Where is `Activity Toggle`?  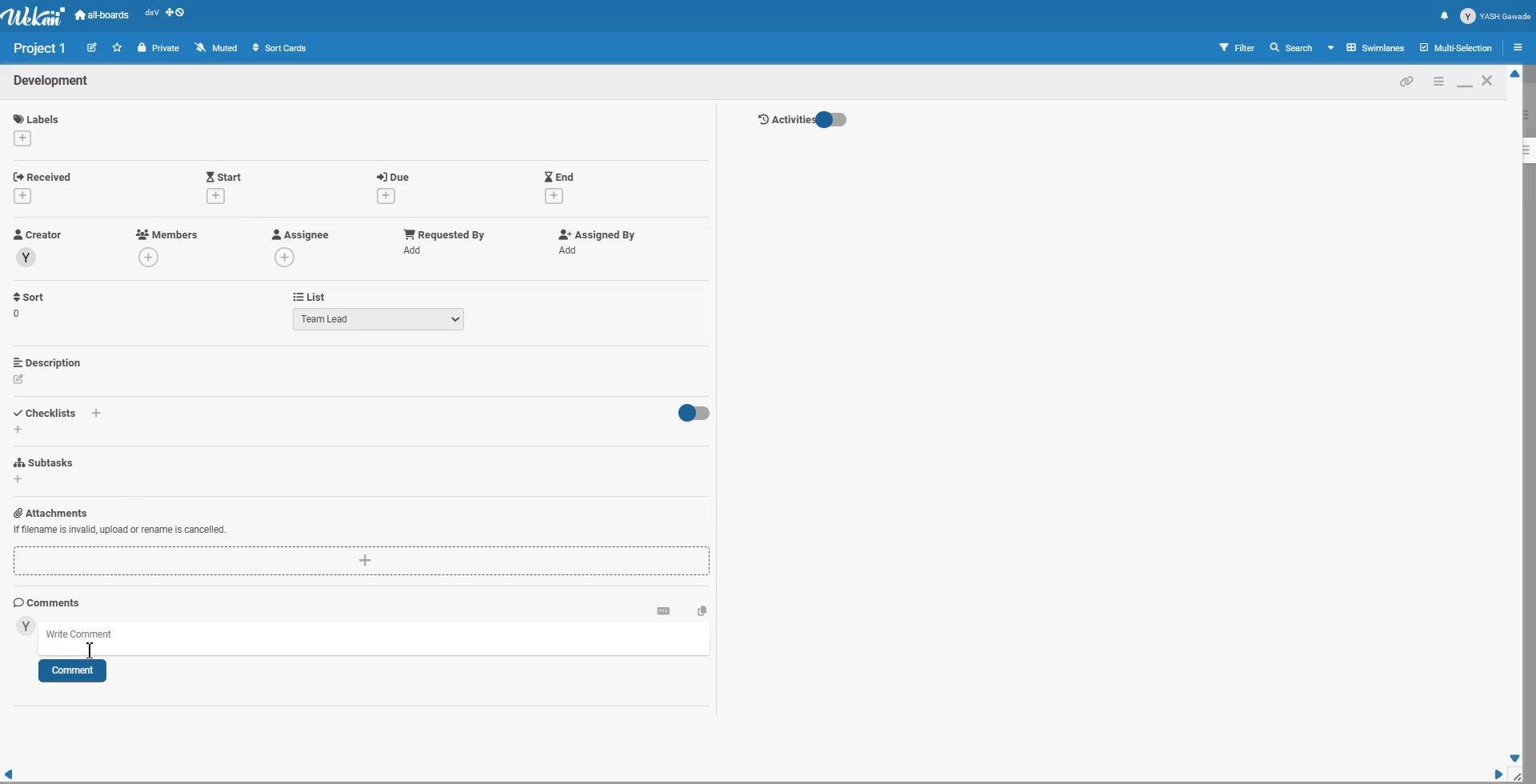
Activity Toggle is located at coordinates (802, 120).